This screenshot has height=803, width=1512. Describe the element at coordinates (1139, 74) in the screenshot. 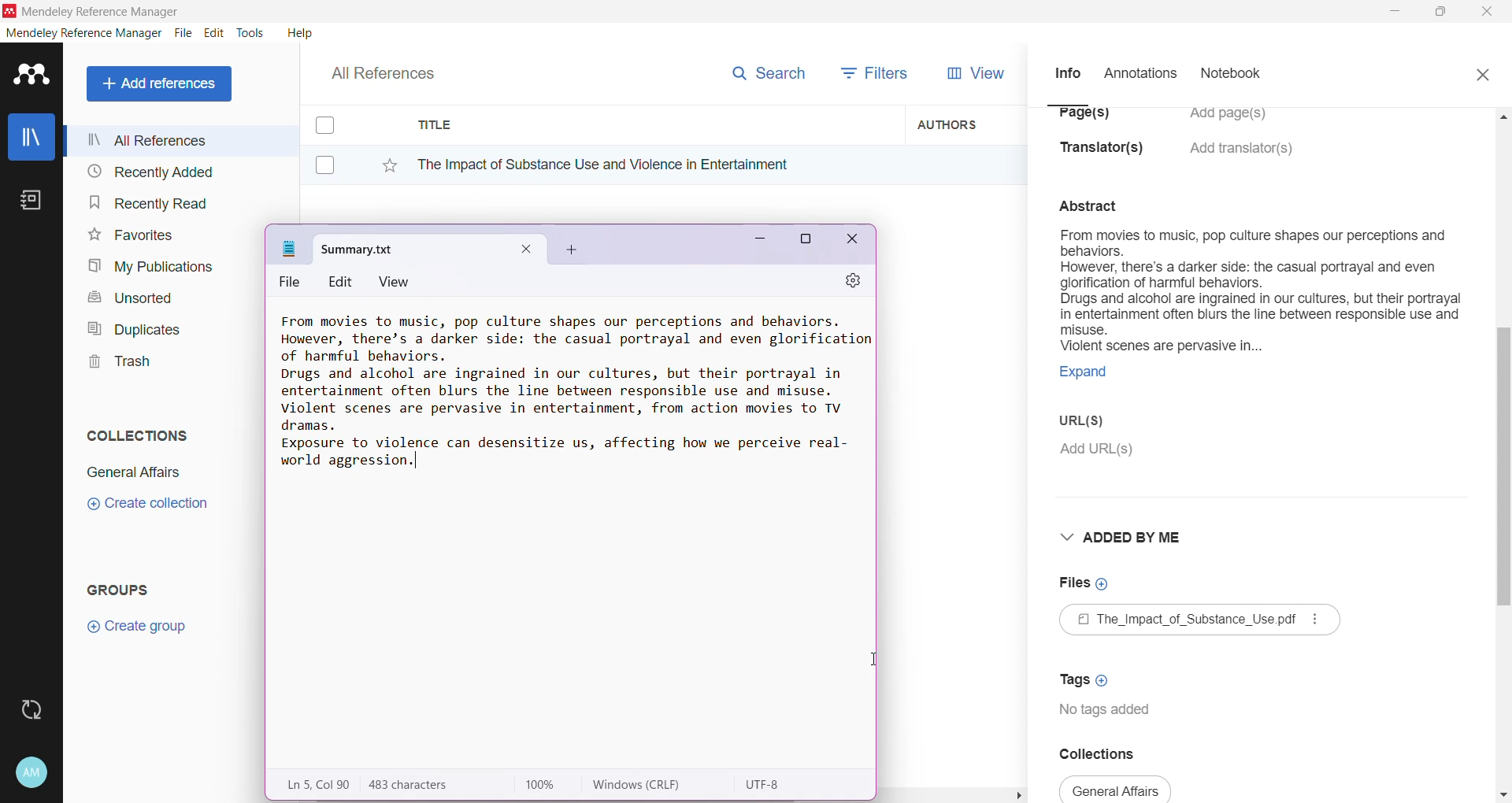

I see `Annotations` at that location.